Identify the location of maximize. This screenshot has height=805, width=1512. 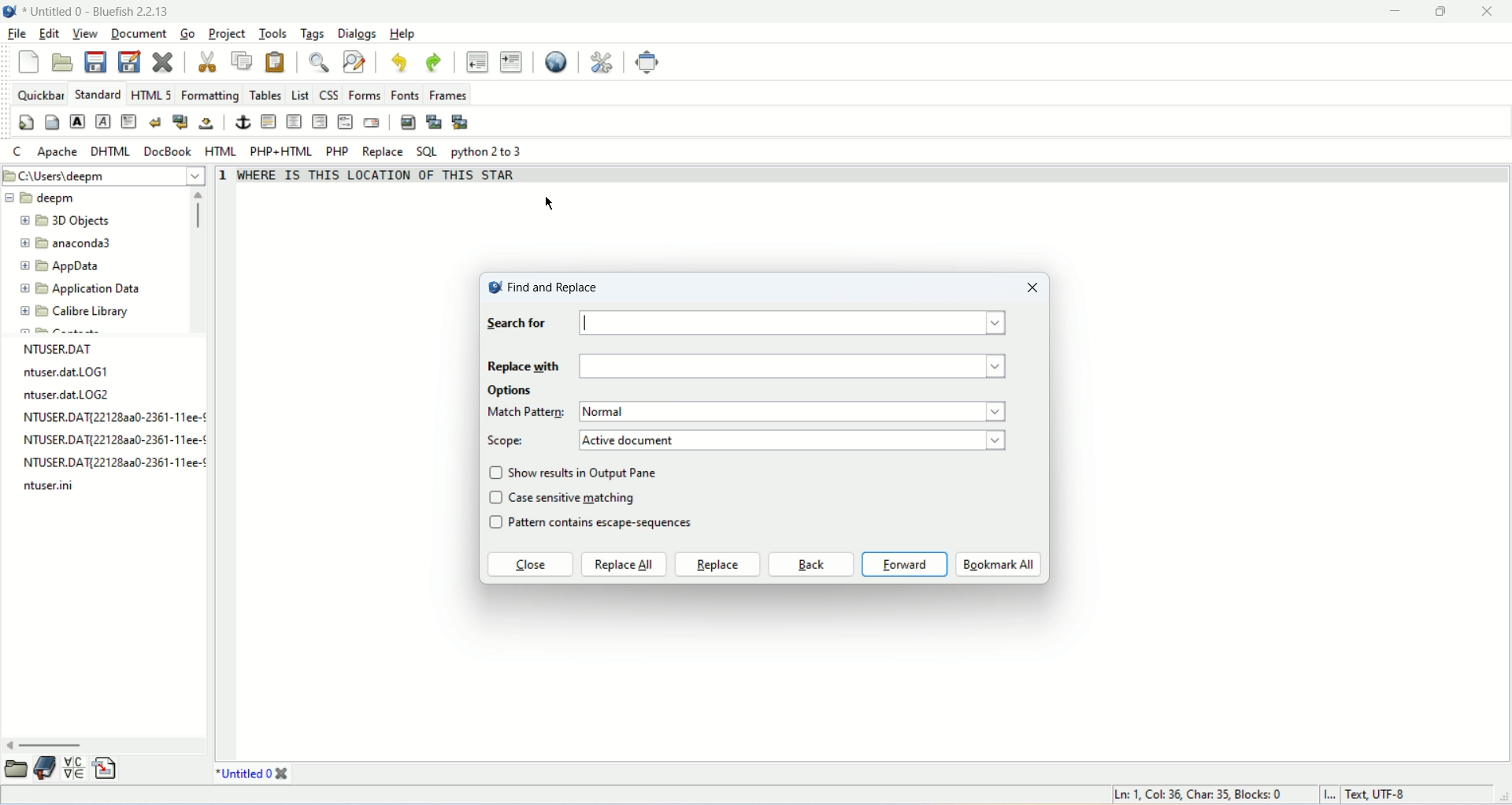
(1452, 12).